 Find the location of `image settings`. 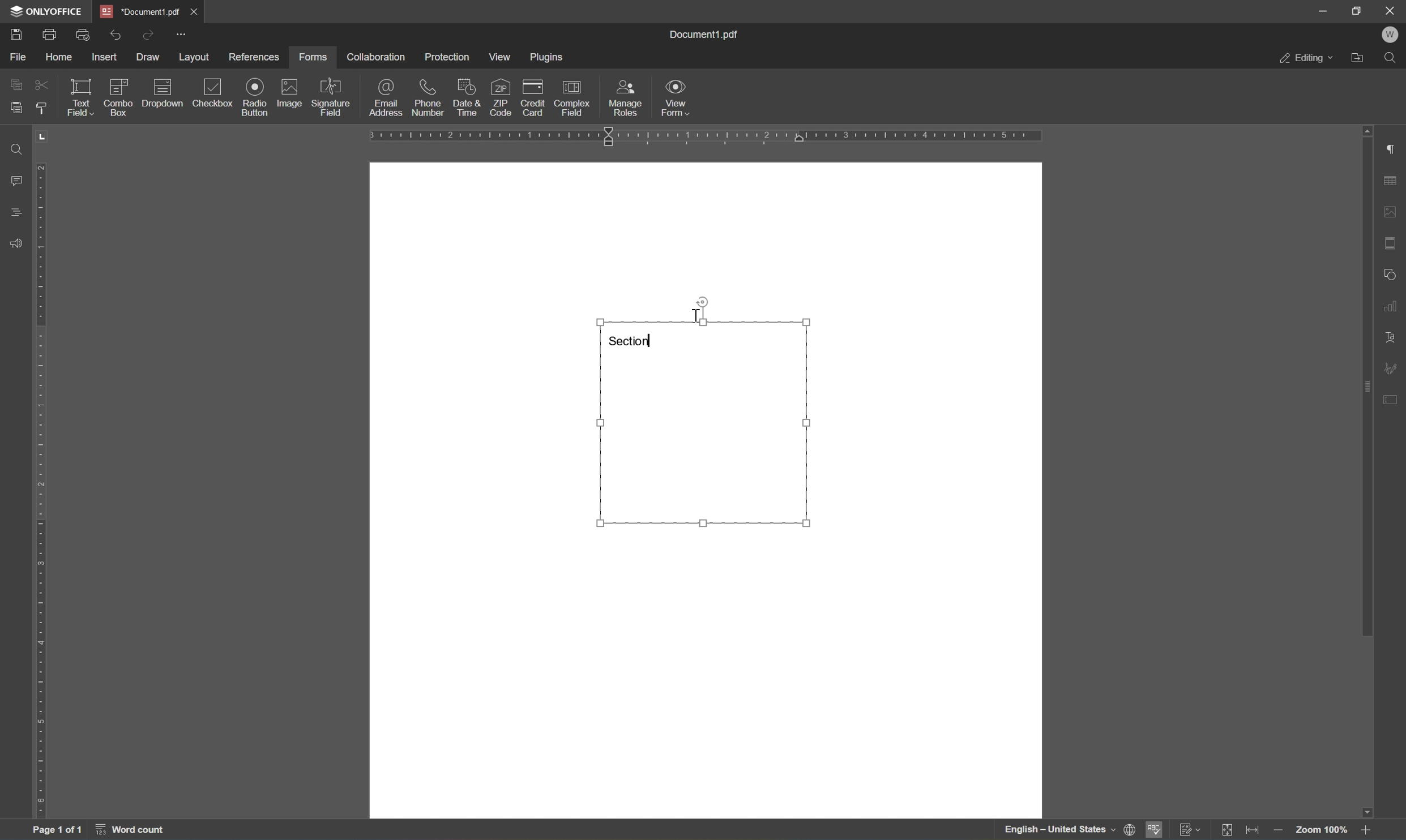

image settings is located at coordinates (1391, 214).